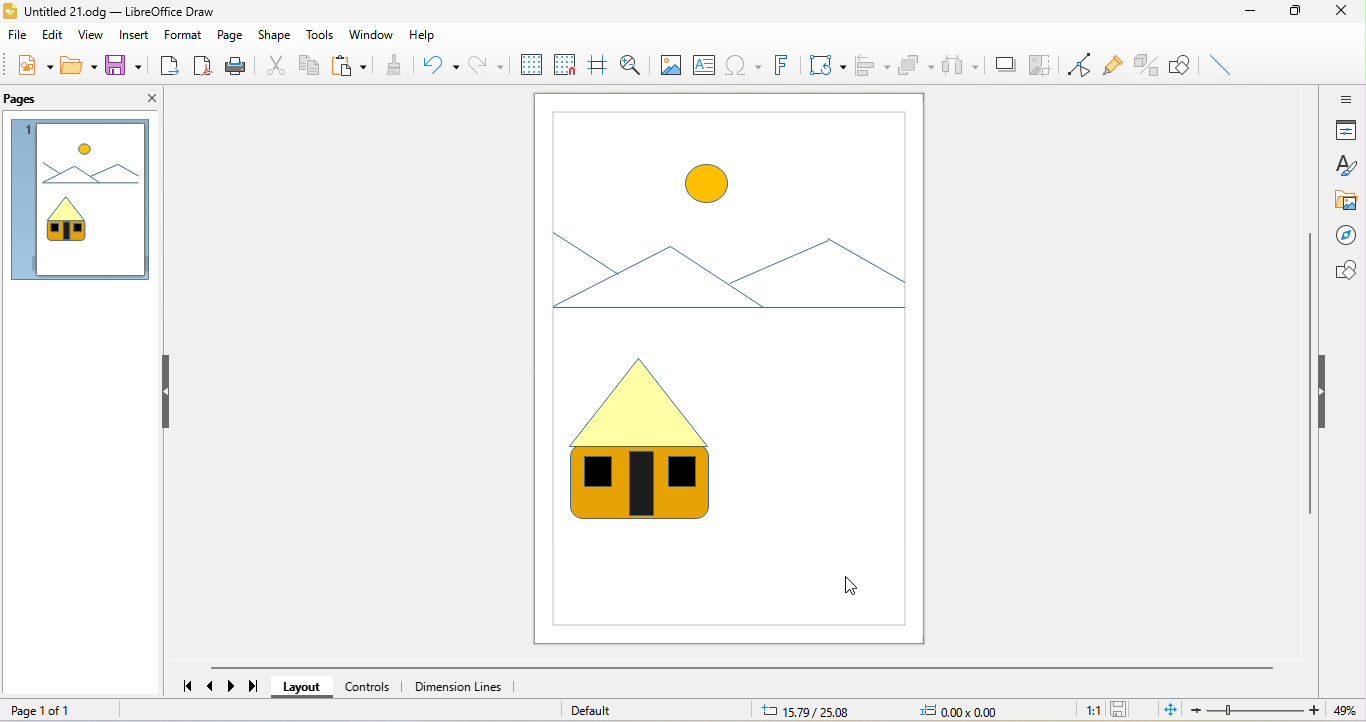 Image resolution: width=1366 pixels, height=722 pixels. Describe the element at coordinates (1148, 67) in the screenshot. I see `toggle extrusion` at that location.